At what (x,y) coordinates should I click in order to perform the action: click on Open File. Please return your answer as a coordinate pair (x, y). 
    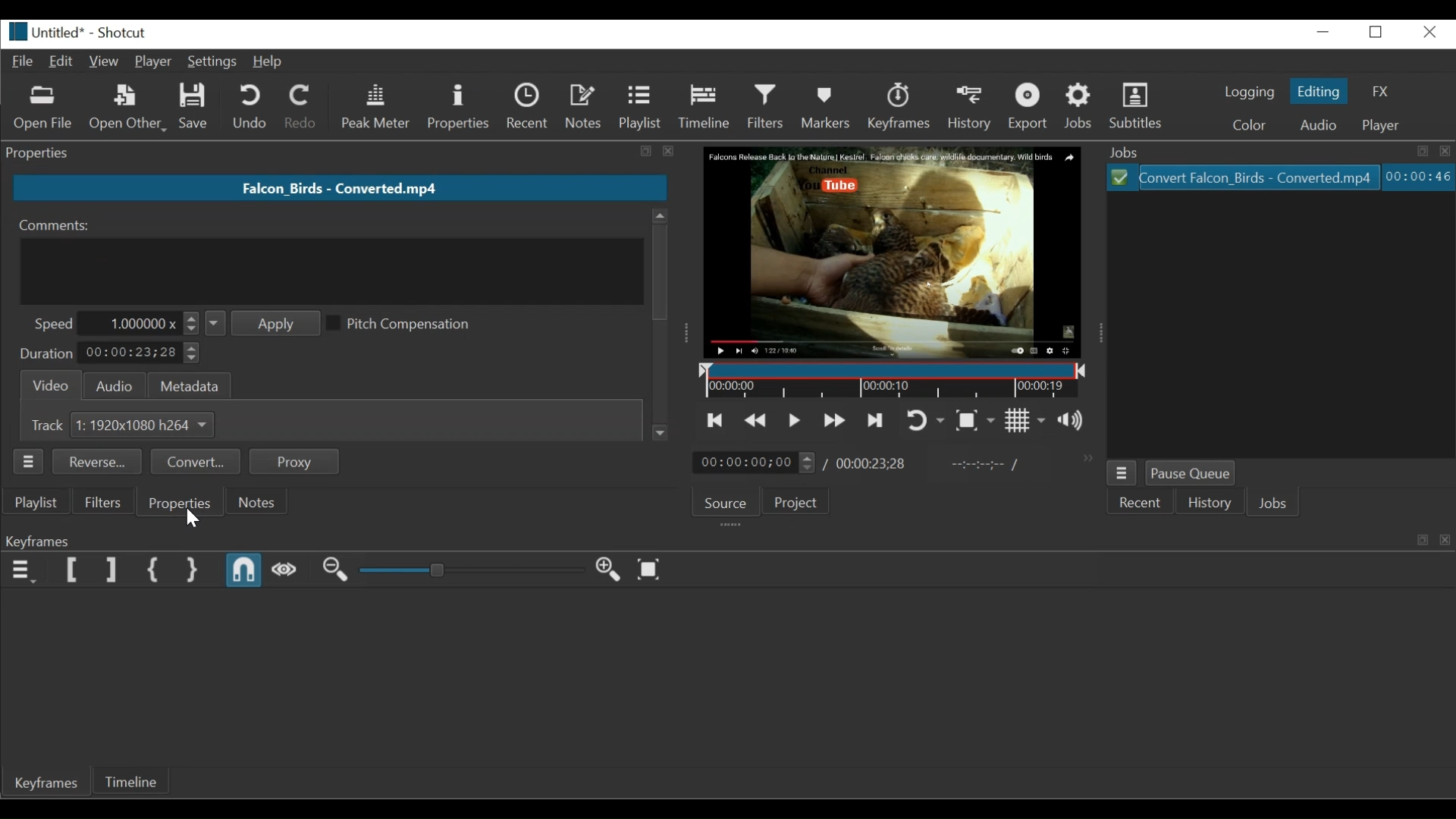
    Looking at the image, I should click on (45, 110).